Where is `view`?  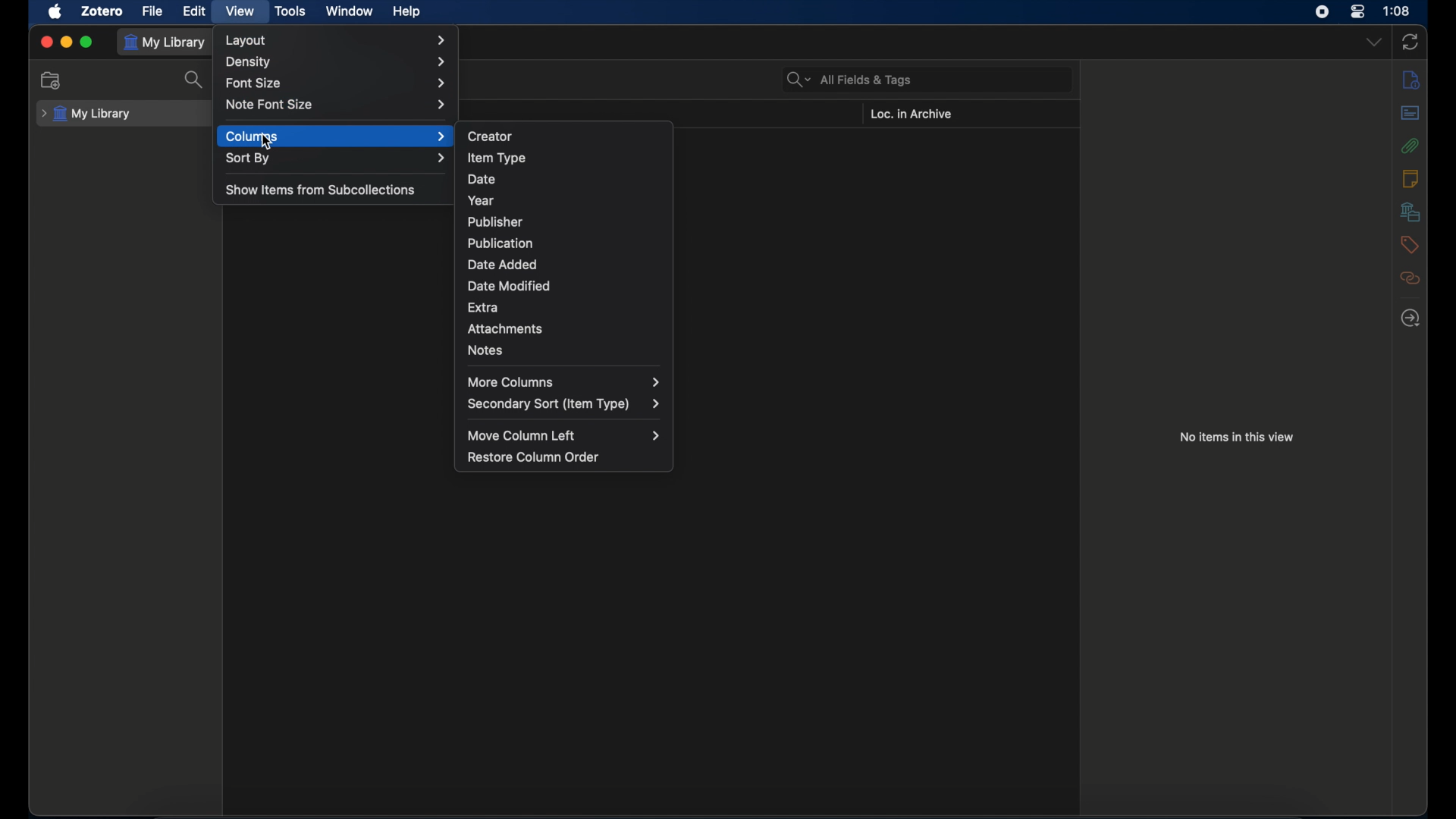
view is located at coordinates (241, 12).